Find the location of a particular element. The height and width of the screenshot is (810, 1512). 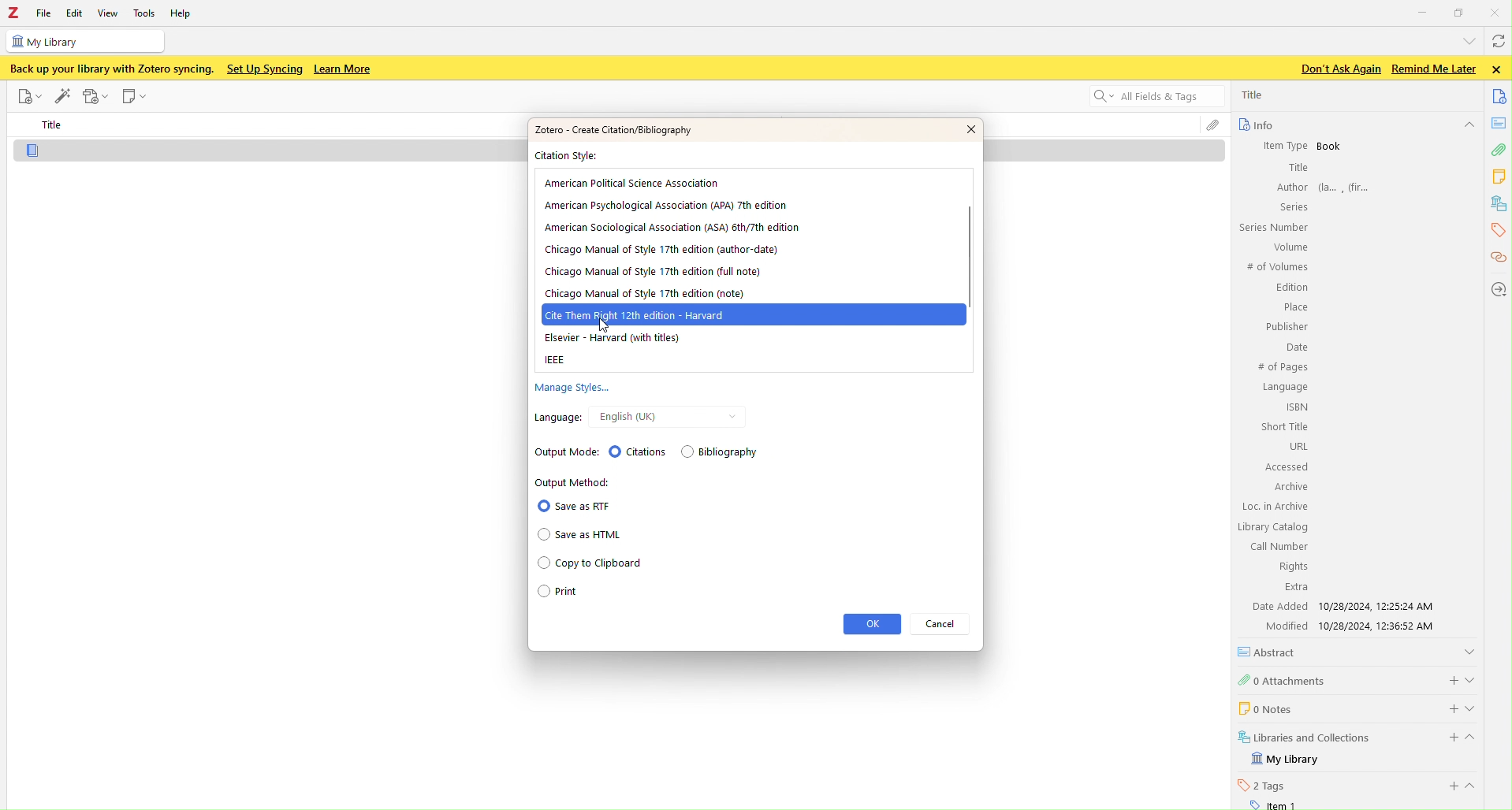

Edition is located at coordinates (1292, 288).